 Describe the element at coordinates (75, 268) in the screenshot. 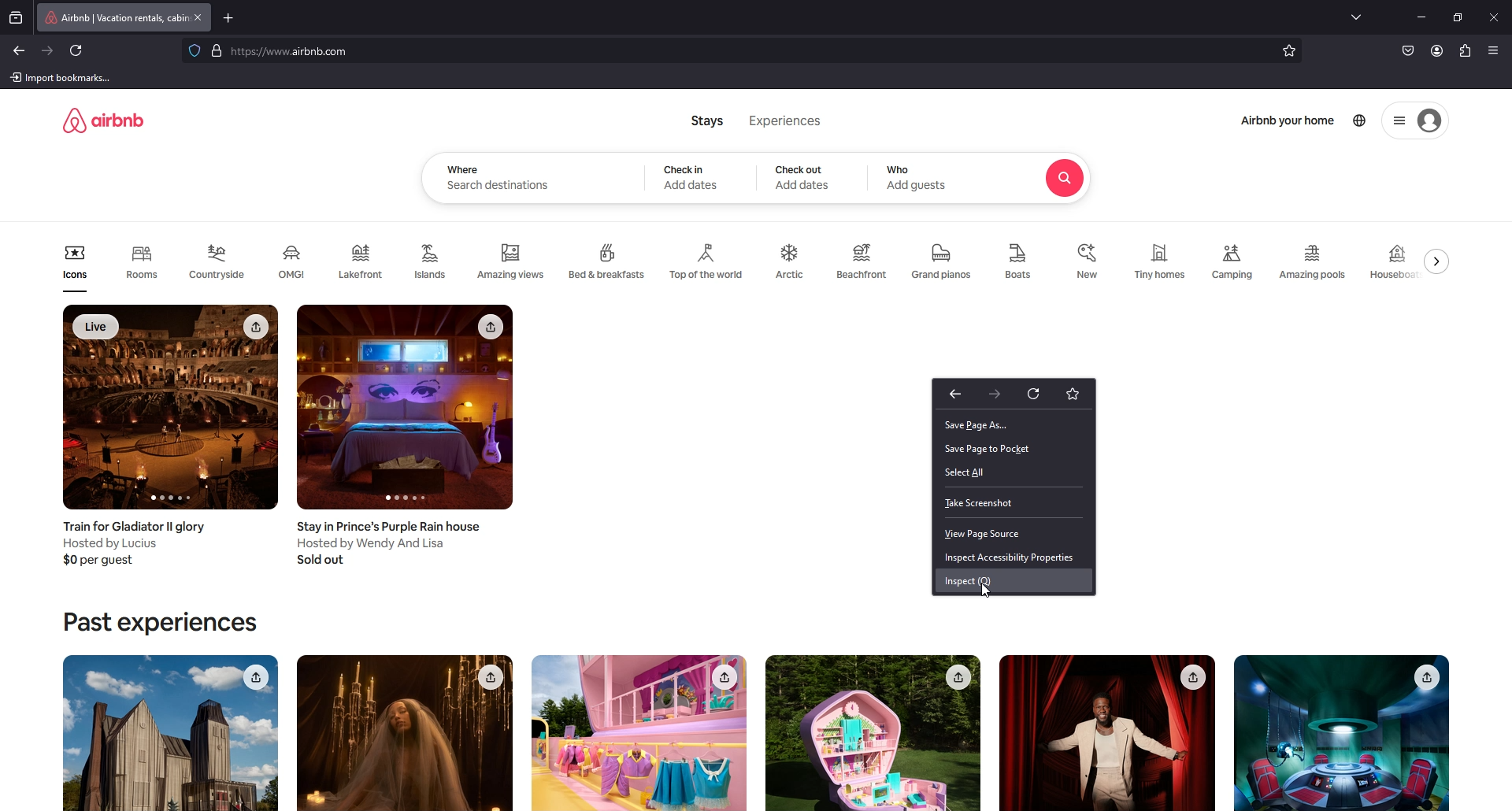

I see `Icons` at that location.